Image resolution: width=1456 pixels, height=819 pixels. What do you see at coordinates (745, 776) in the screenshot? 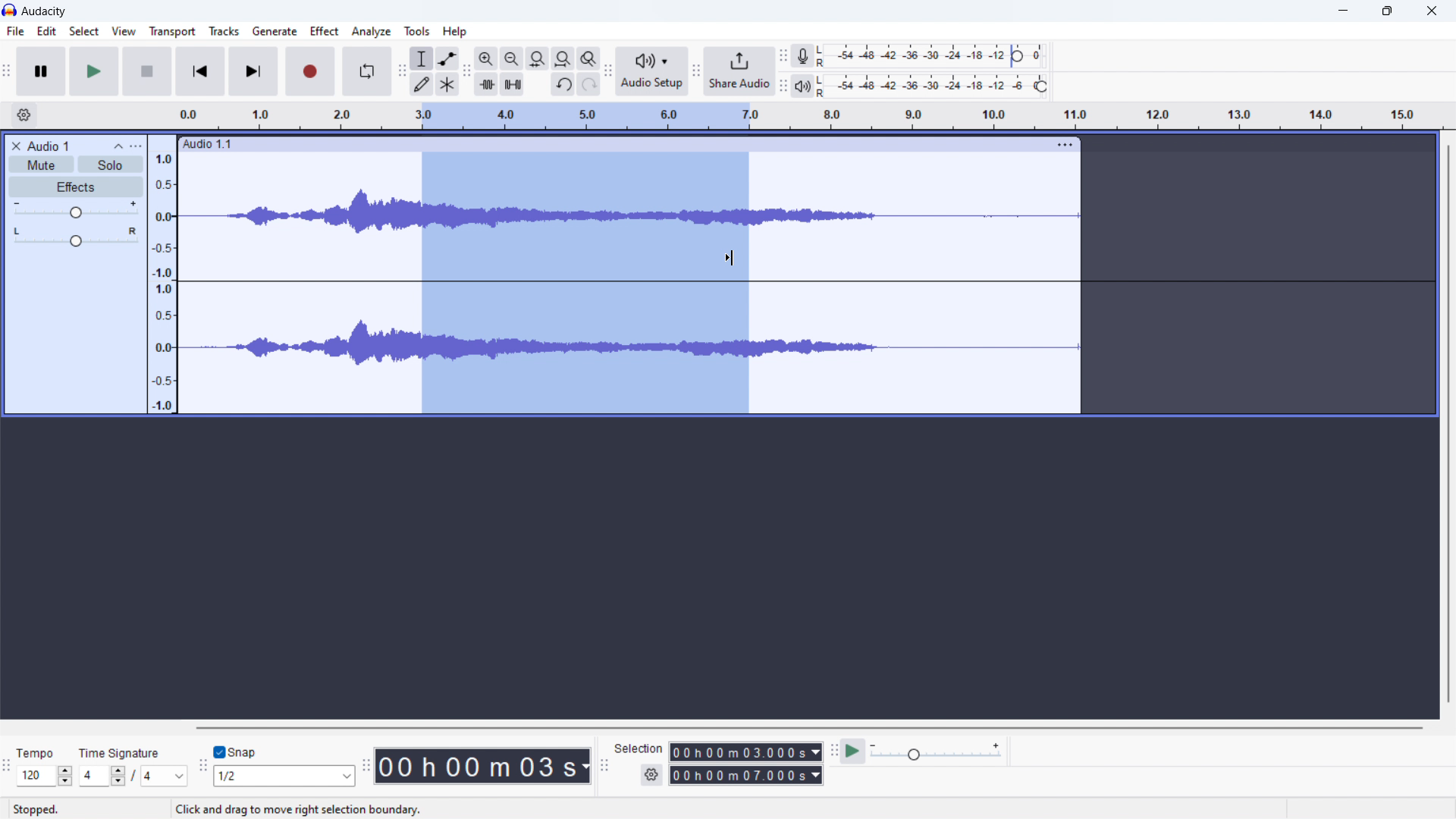
I see `00 h 00 m 07.000 s` at bounding box center [745, 776].